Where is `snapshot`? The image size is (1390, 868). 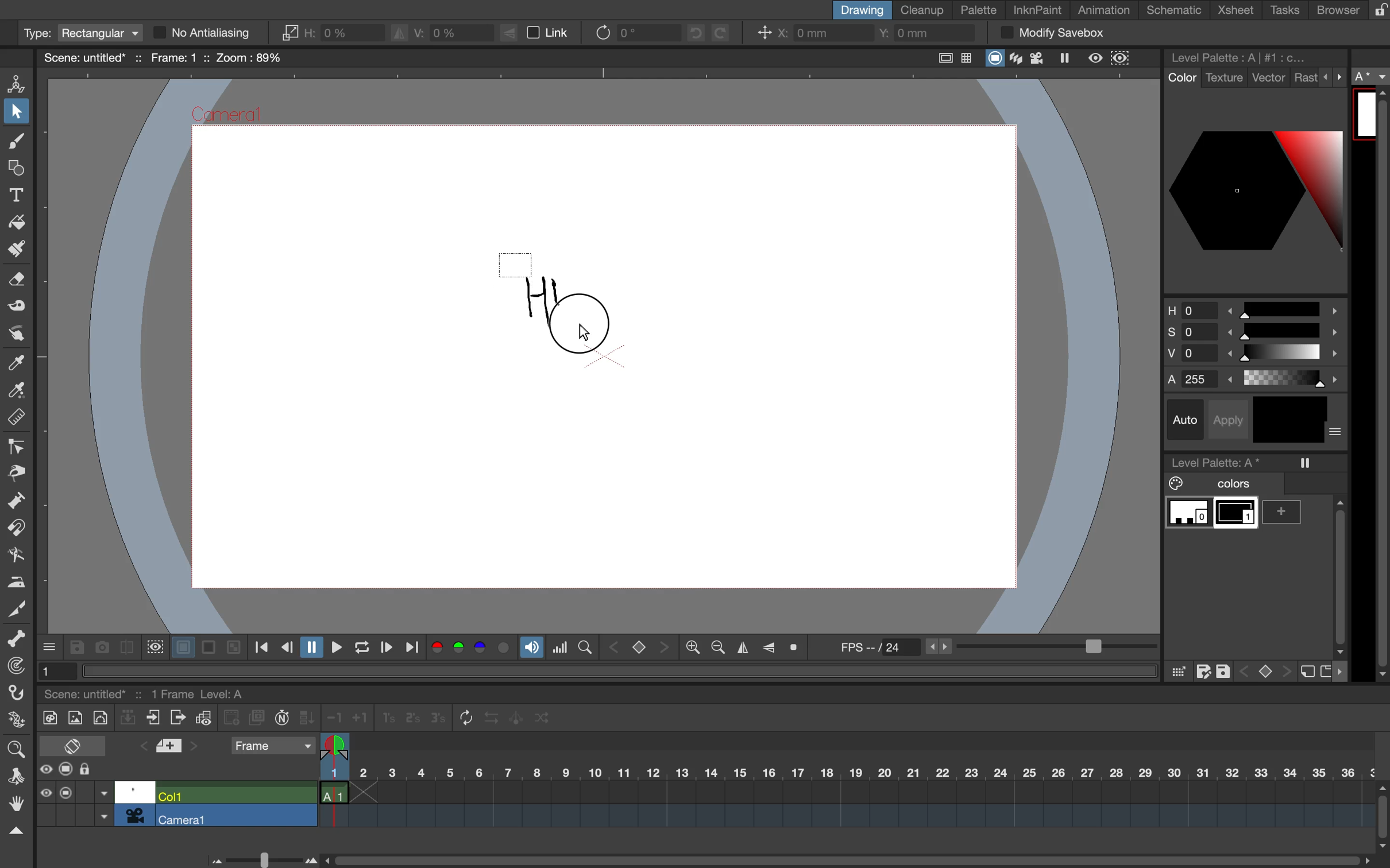
snapshot is located at coordinates (100, 646).